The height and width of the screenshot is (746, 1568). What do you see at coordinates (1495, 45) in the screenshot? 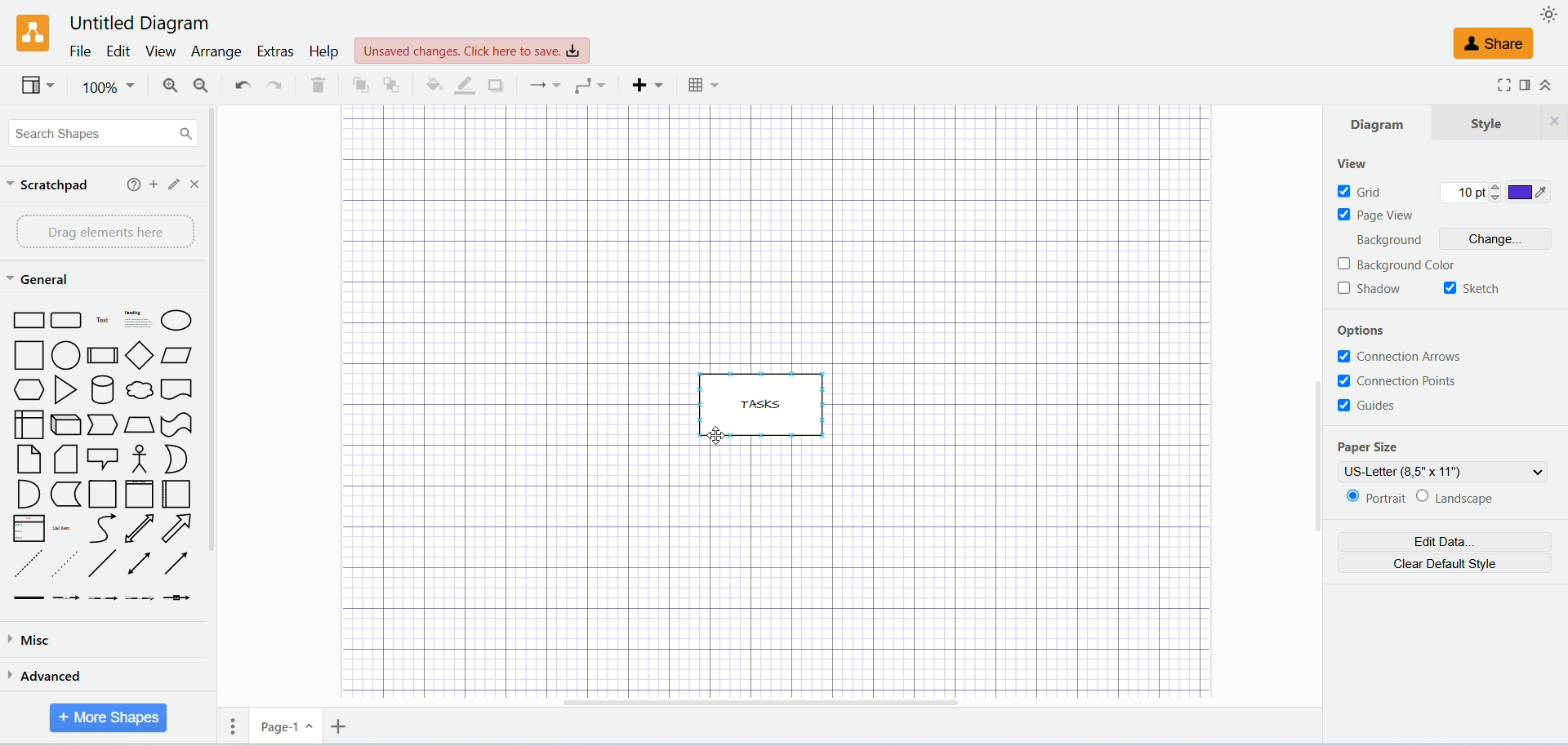
I see `share` at bounding box center [1495, 45].